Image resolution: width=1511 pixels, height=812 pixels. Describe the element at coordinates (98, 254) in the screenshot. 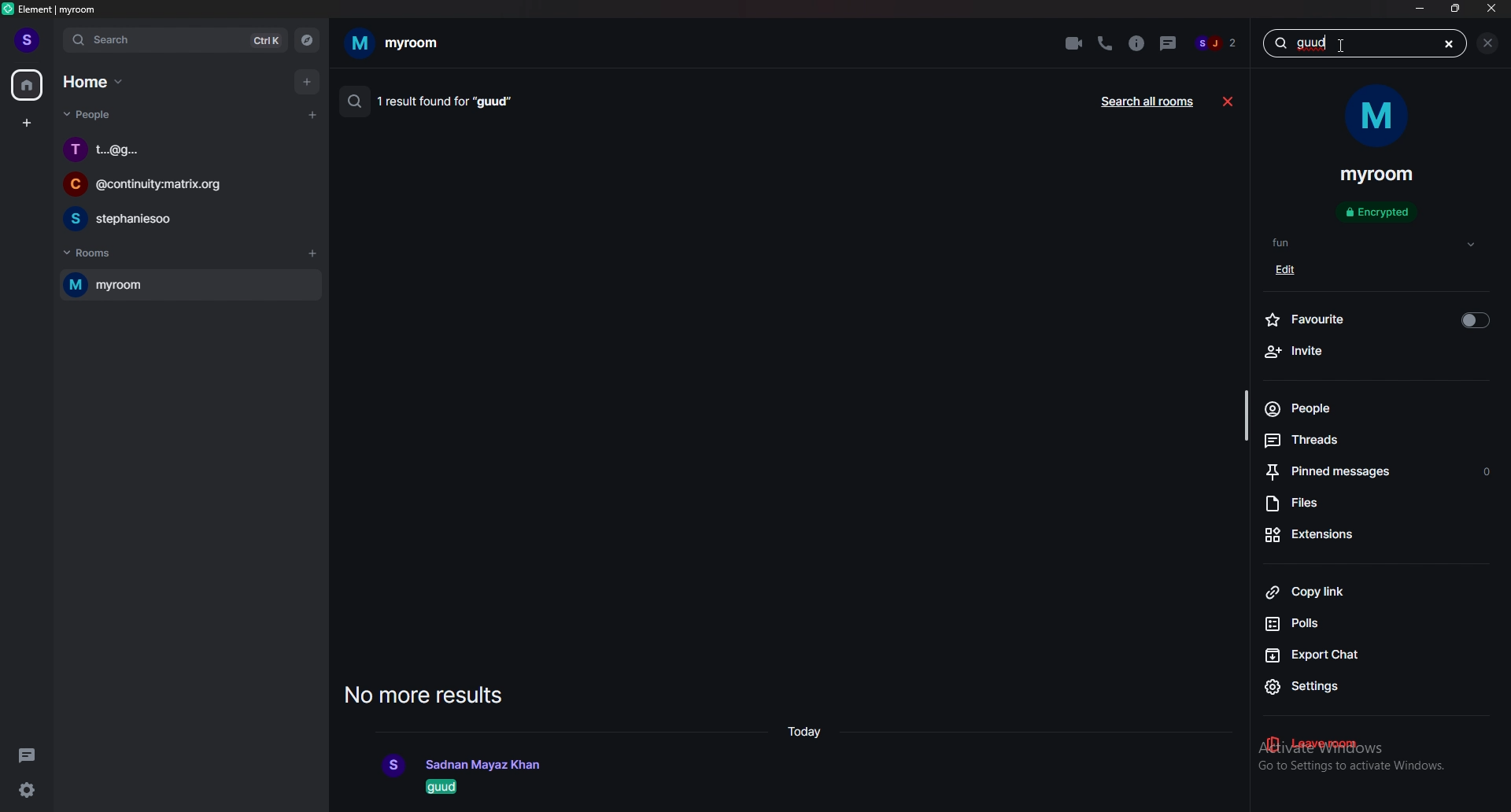

I see `rooms` at that location.